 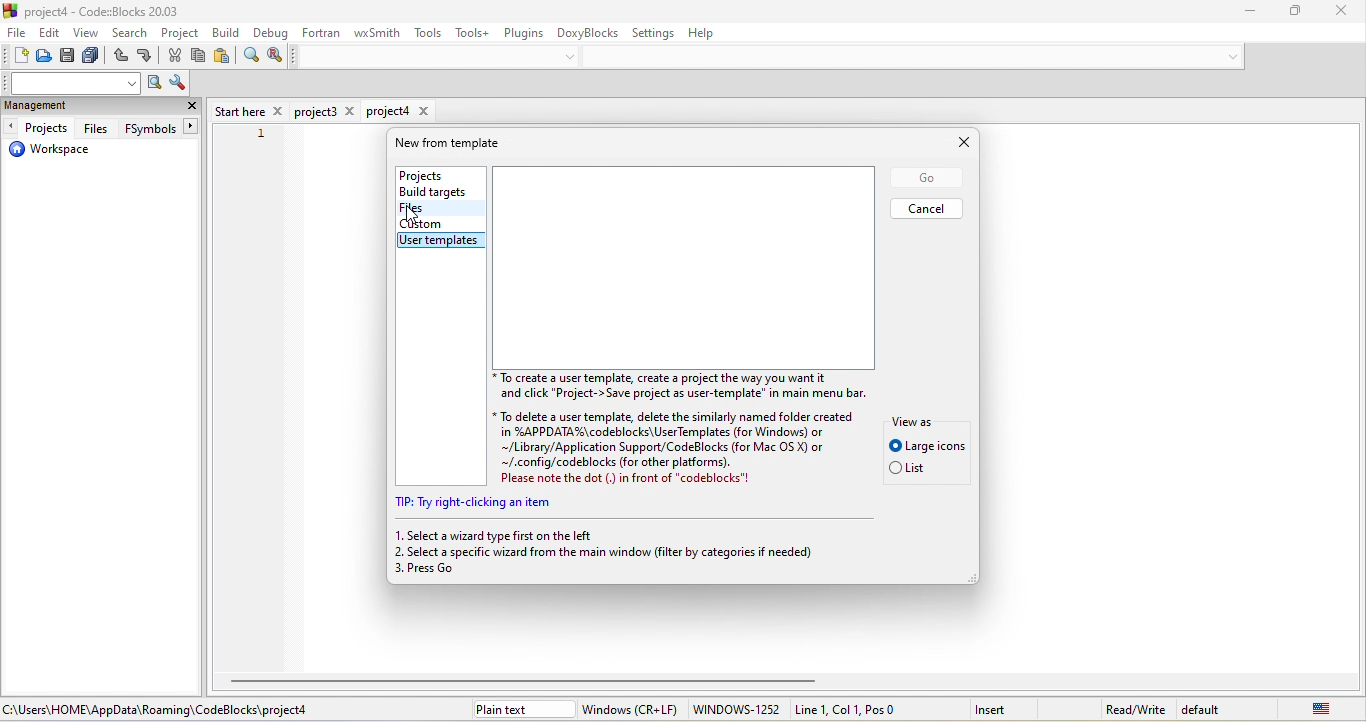 I want to click on tools, so click(x=430, y=33).